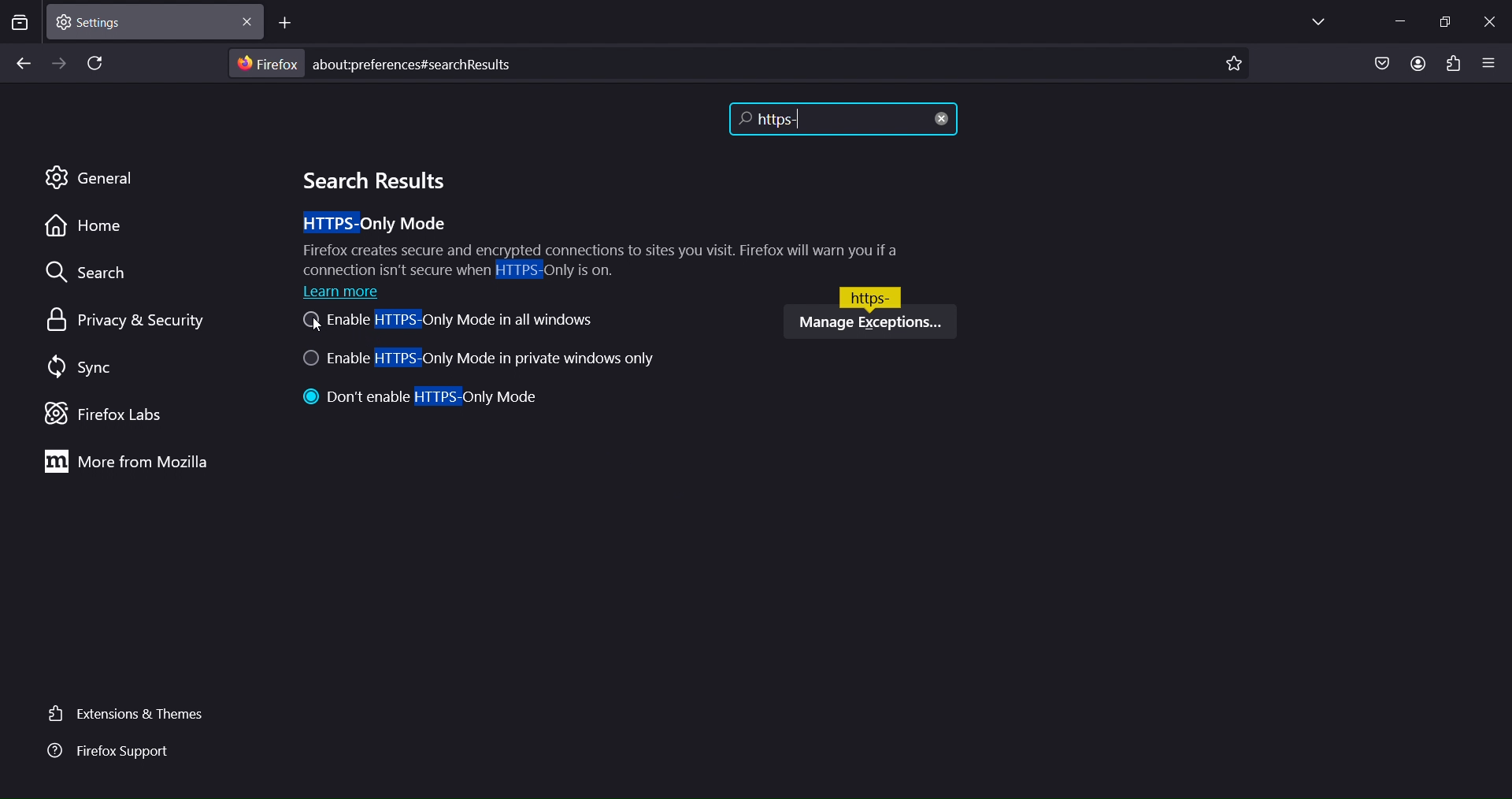  What do you see at coordinates (424, 399) in the screenshot?
I see `Don't enable HTTPS-Only Mode` at bounding box center [424, 399].